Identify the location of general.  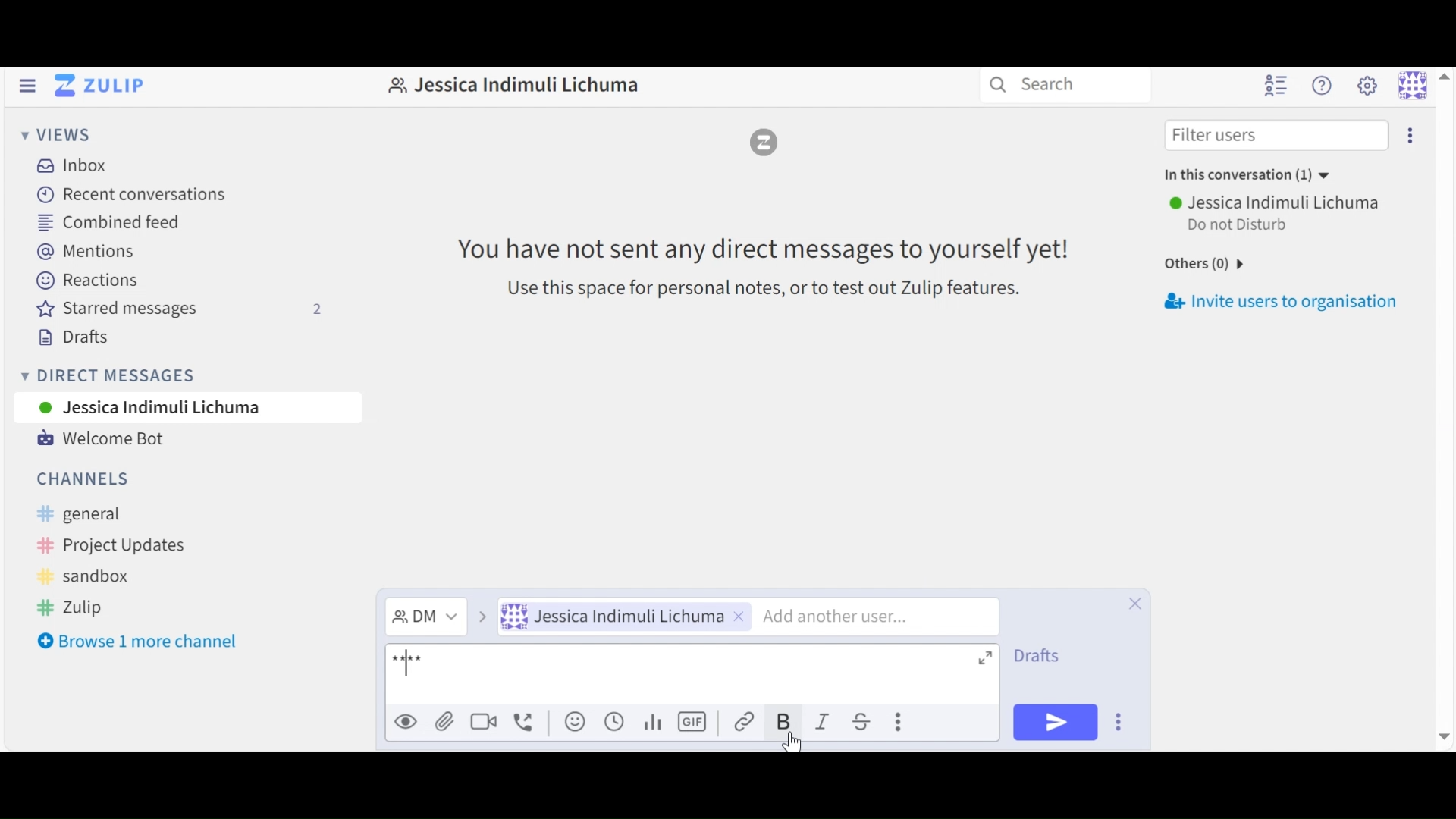
(96, 514).